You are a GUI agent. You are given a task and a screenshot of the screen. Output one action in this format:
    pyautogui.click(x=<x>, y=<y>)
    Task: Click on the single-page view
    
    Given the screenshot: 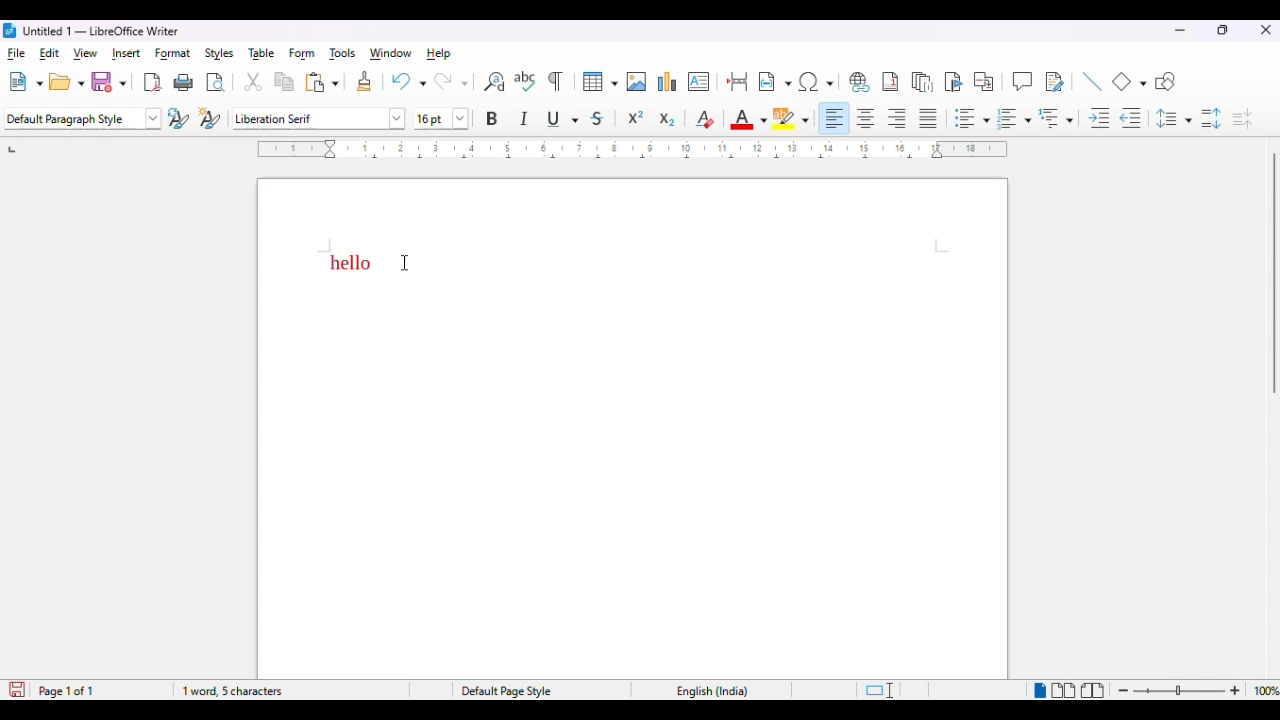 What is the action you would take?
    pyautogui.click(x=1038, y=691)
    